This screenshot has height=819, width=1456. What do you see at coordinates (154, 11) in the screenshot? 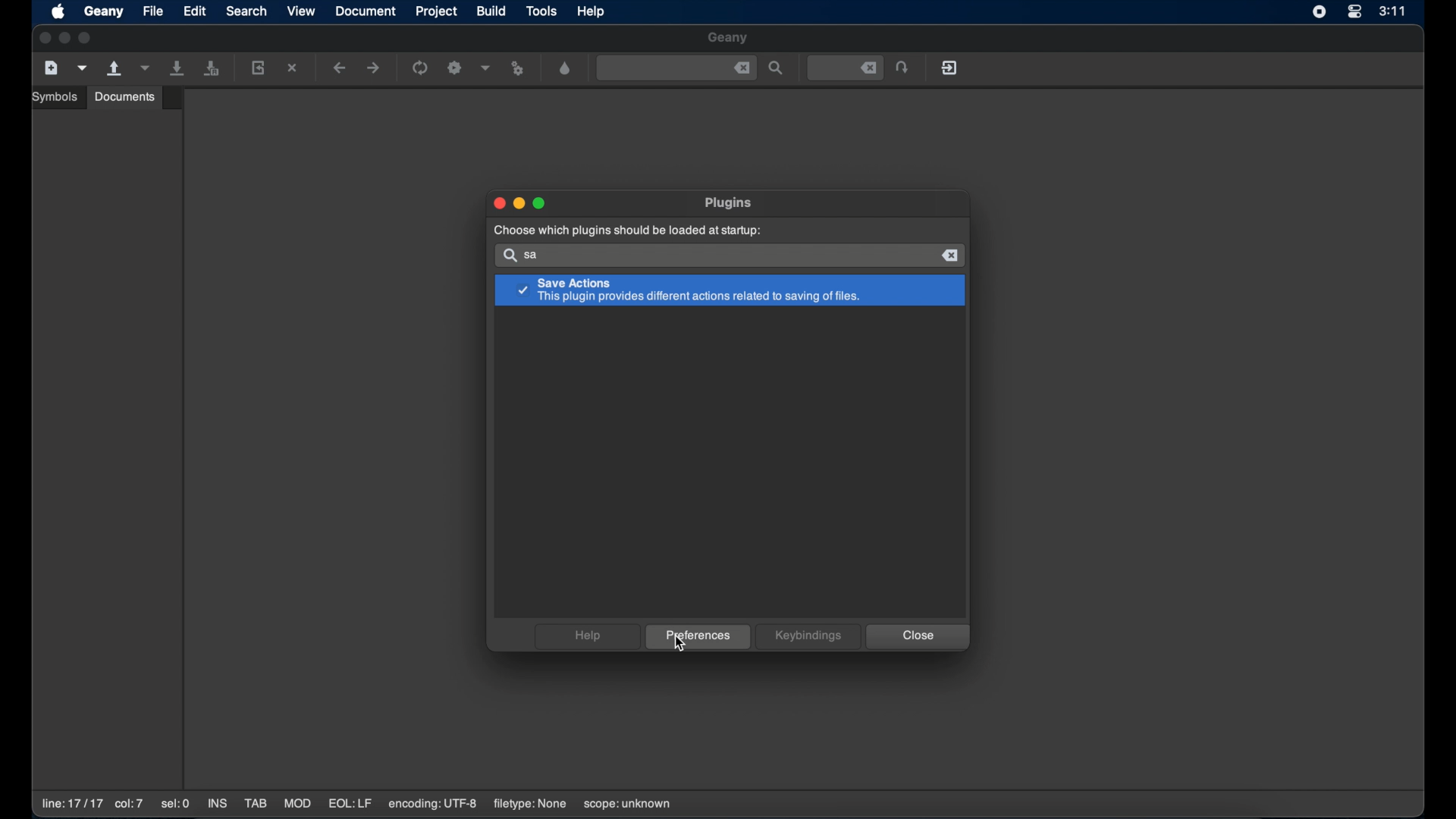
I see `file` at bounding box center [154, 11].